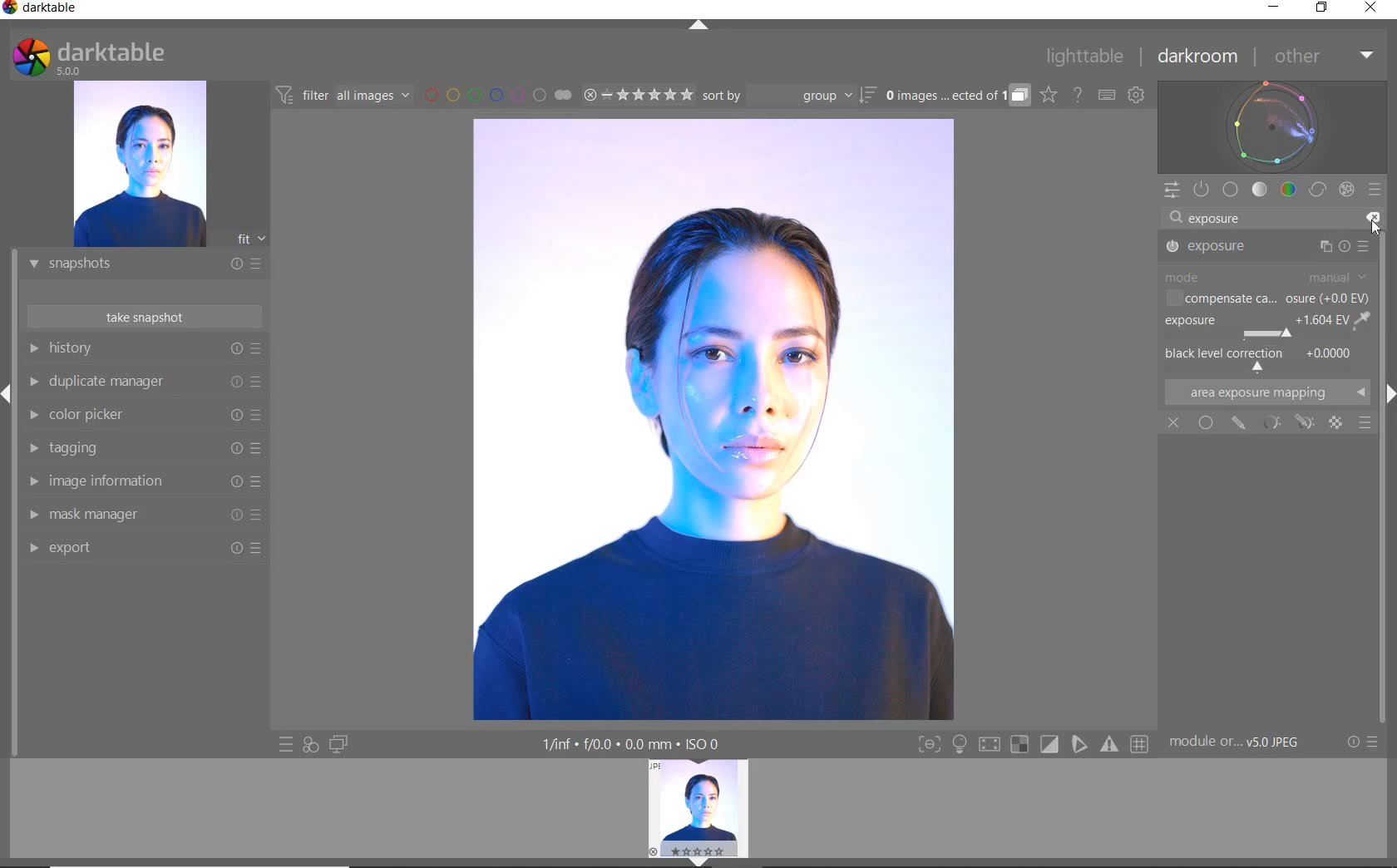  What do you see at coordinates (960, 746) in the screenshot?
I see `Button` at bounding box center [960, 746].